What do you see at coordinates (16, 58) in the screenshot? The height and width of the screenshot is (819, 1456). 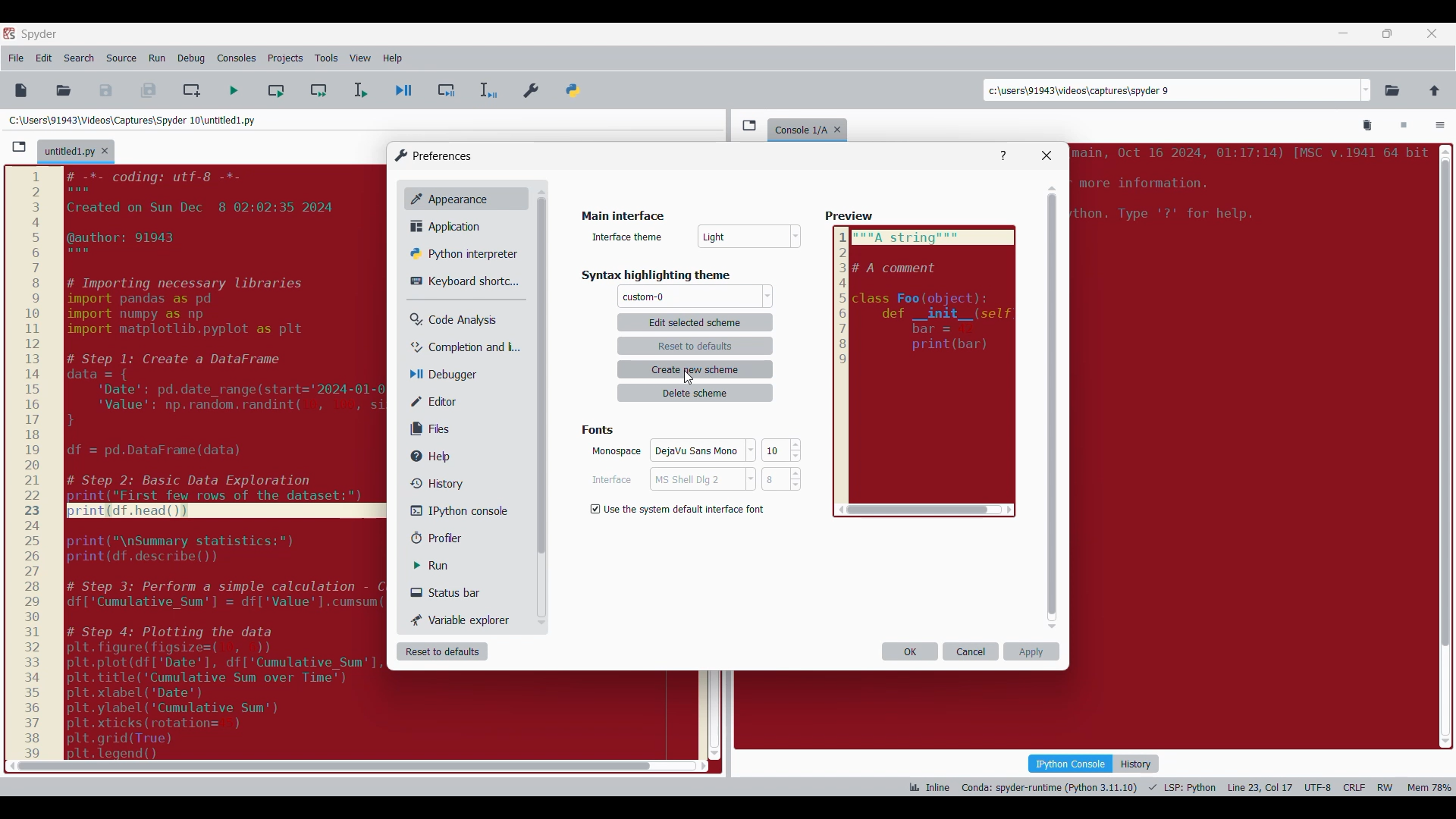 I see `File menu ` at bounding box center [16, 58].